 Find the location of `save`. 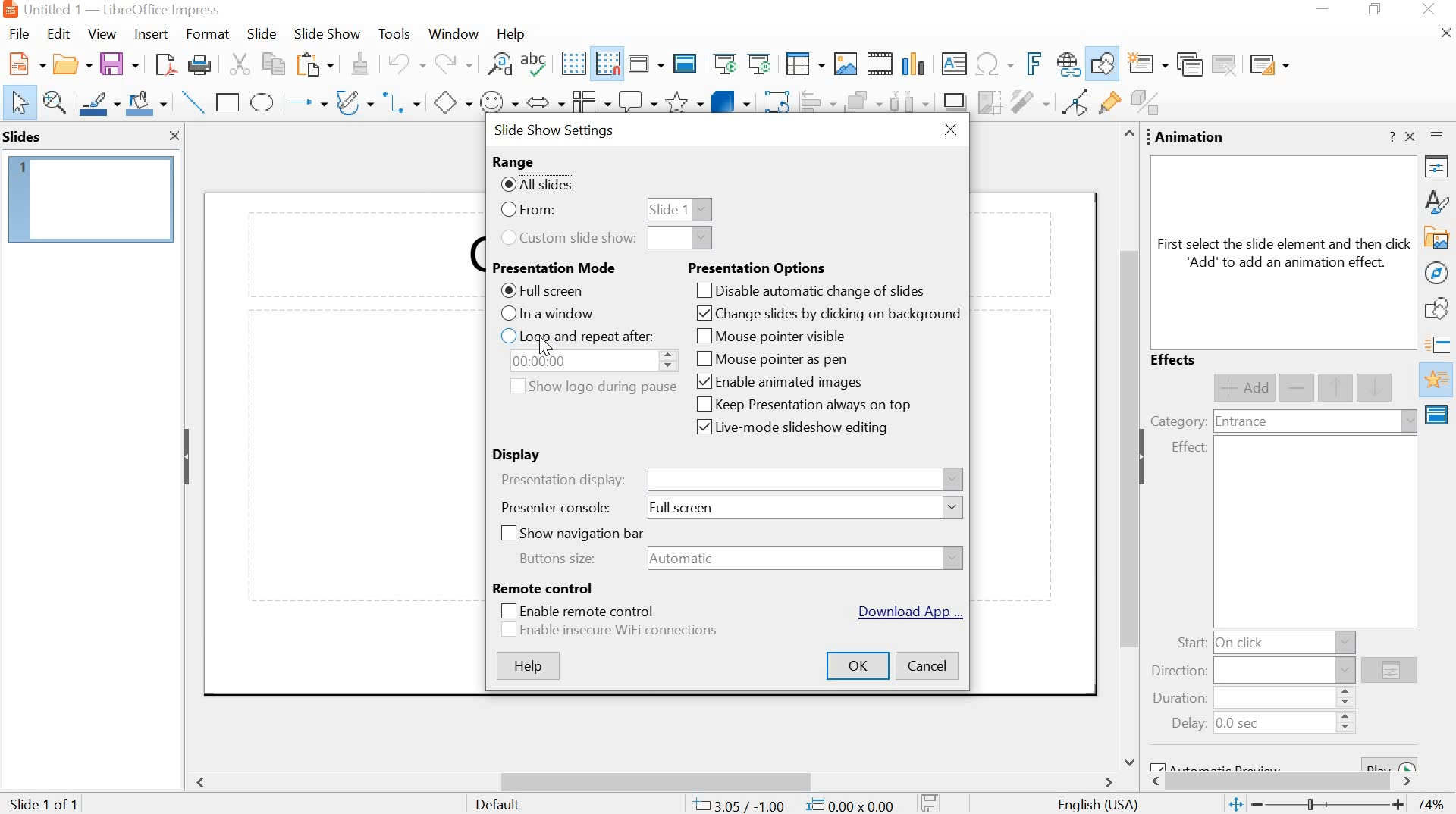

save is located at coordinates (119, 64).